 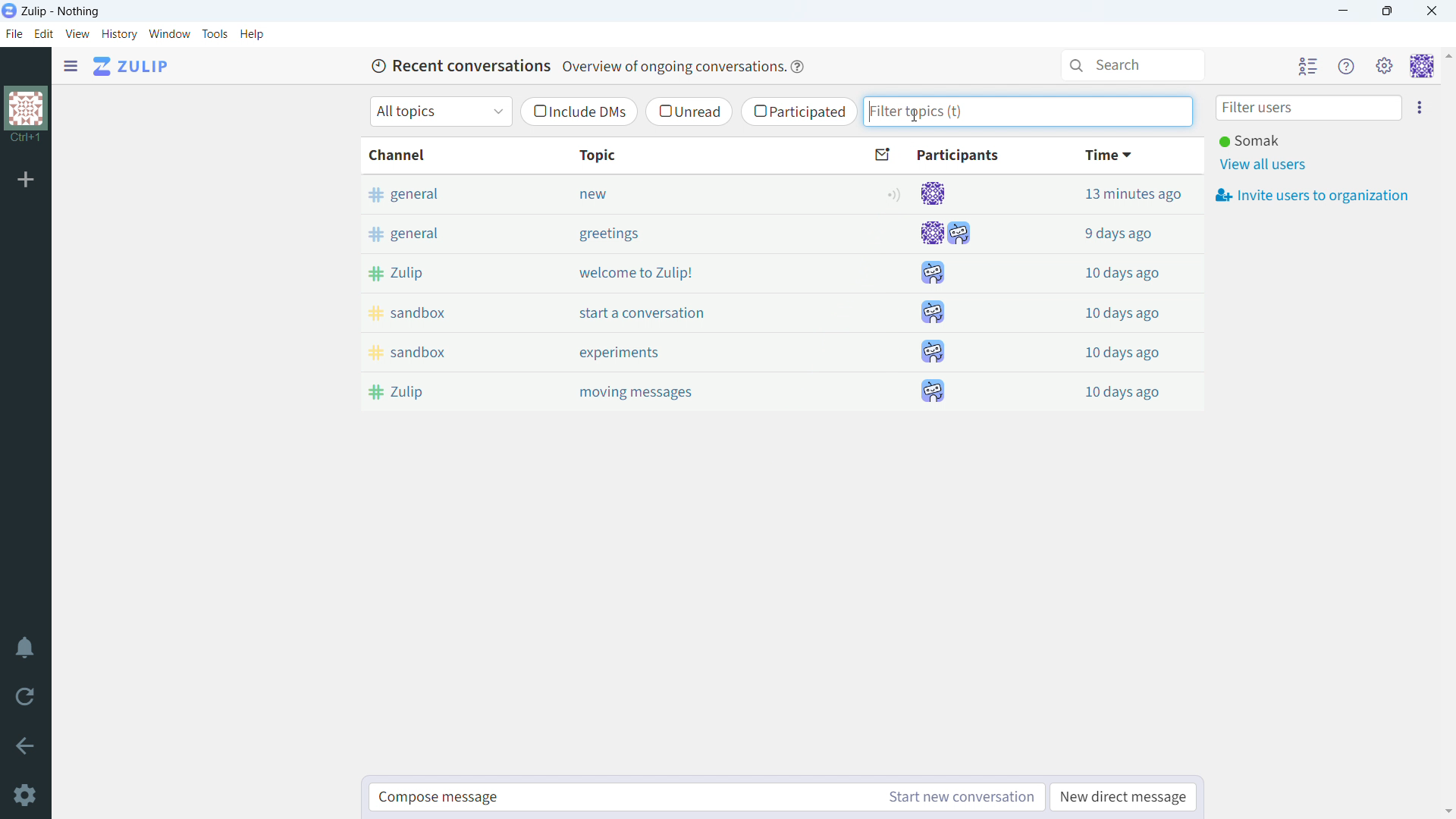 I want to click on sandbox, so click(x=441, y=351).